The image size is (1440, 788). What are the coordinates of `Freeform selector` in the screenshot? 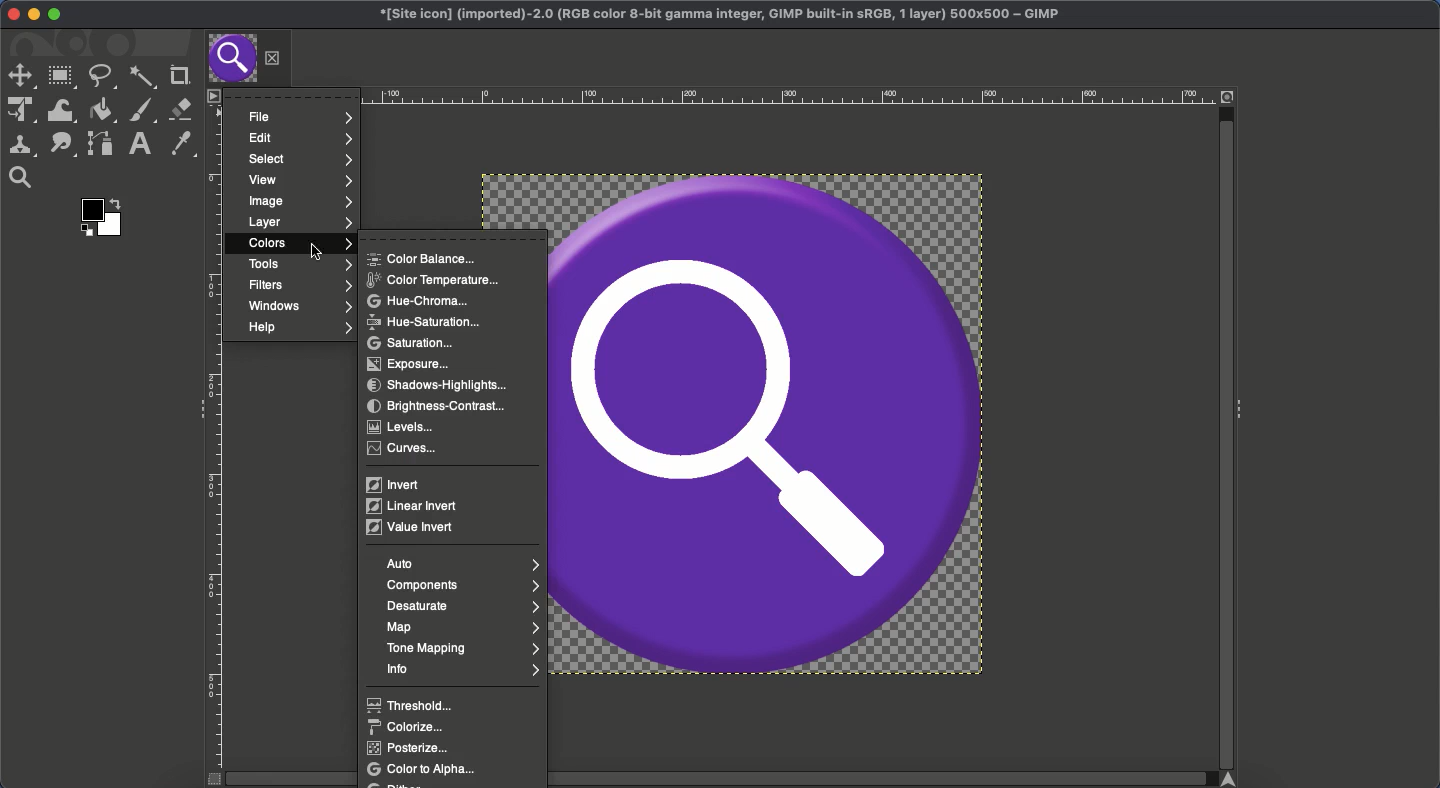 It's located at (102, 78).